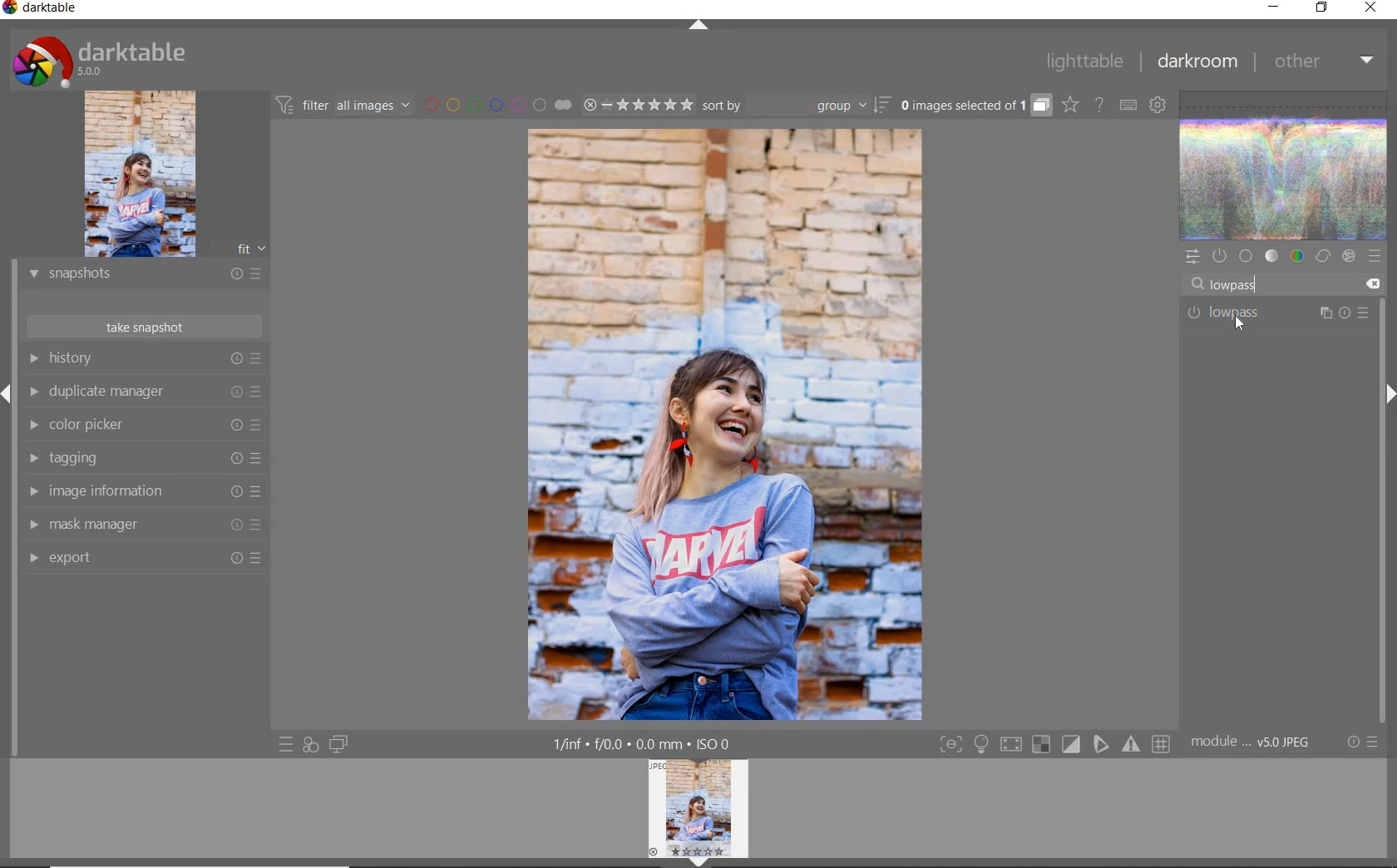 Image resolution: width=1397 pixels, height=868 pixels. What do you see at coordinates (1364, 742) in the screenshot?
I see `reset or presets and preferences` at bounding box center [1364, 742].